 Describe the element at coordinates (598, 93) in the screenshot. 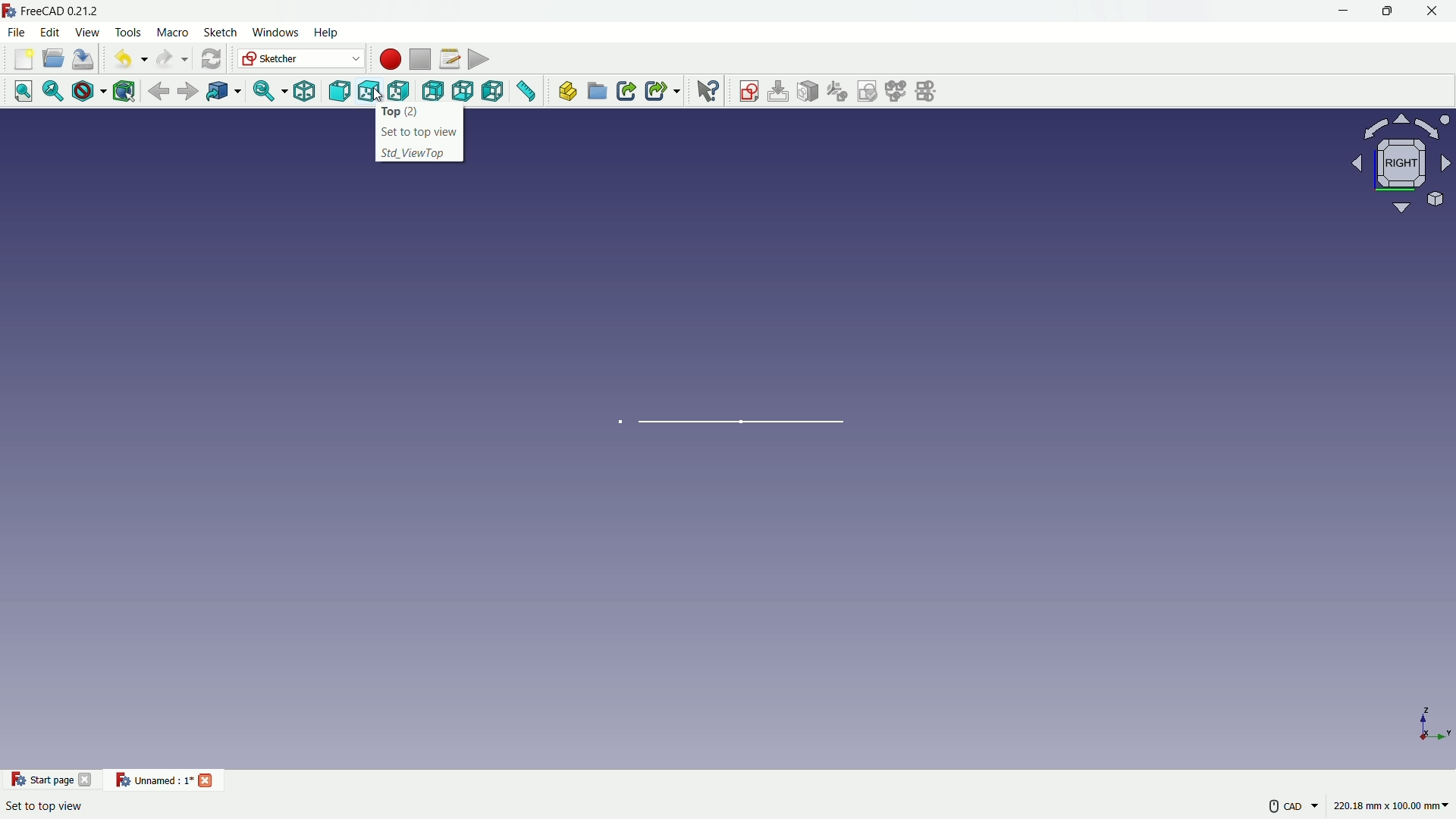

I see `create group` at that location.